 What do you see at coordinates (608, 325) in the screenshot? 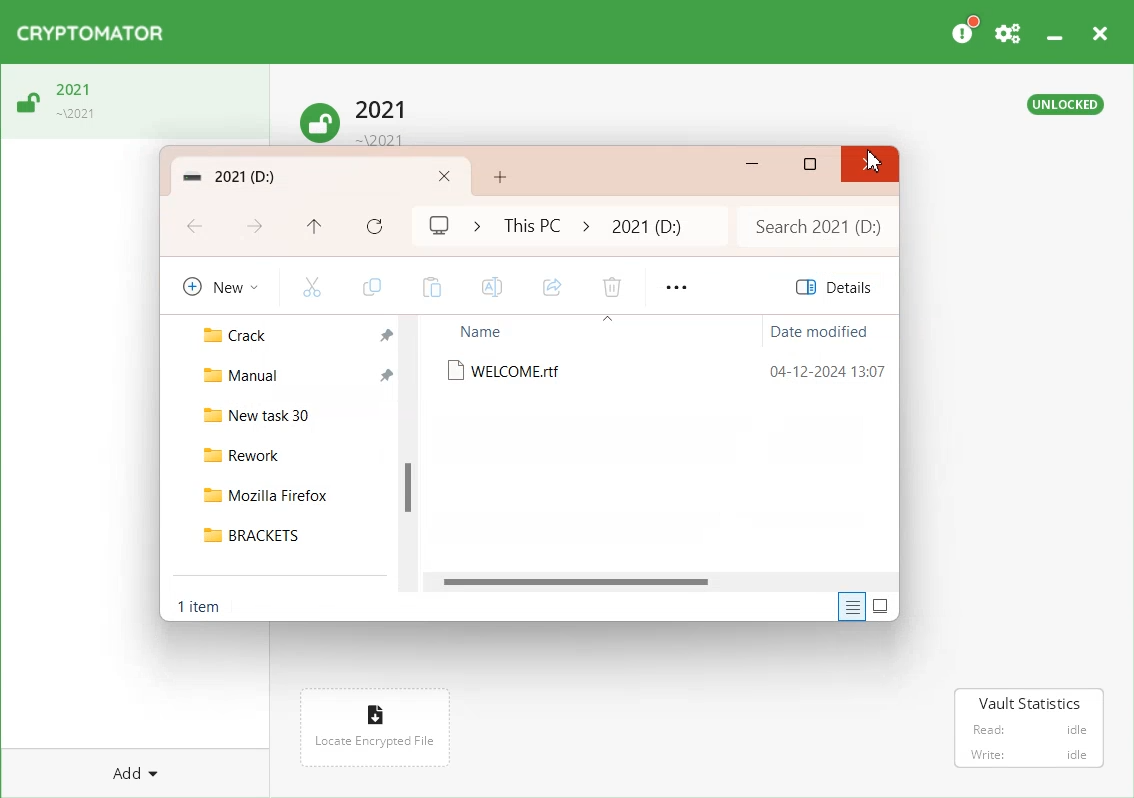
I see `icon` at bounding box center [608, 325].